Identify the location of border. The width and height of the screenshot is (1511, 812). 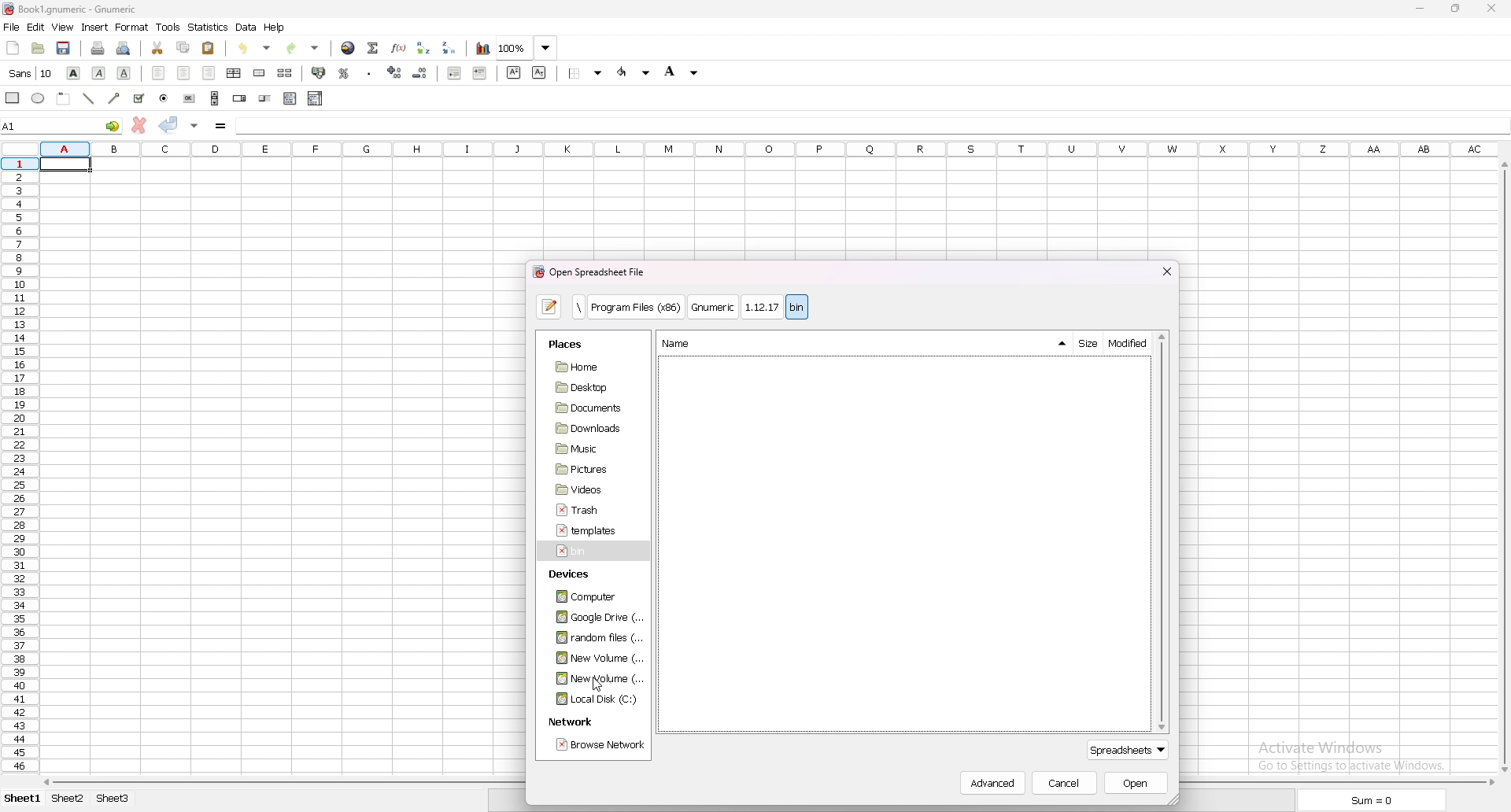
(586, 72).